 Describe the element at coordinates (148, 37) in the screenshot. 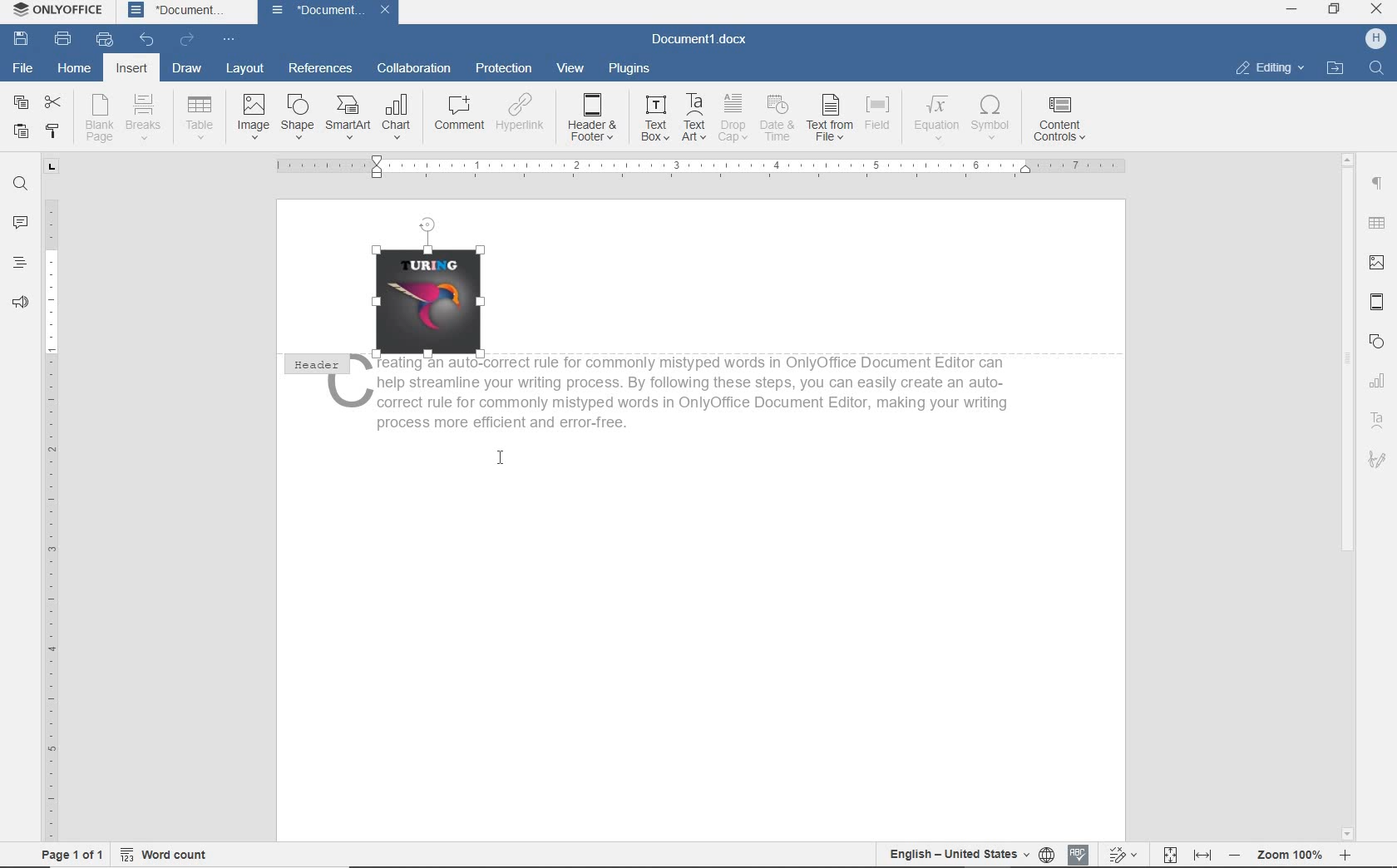

I see `UNDO` at that location.